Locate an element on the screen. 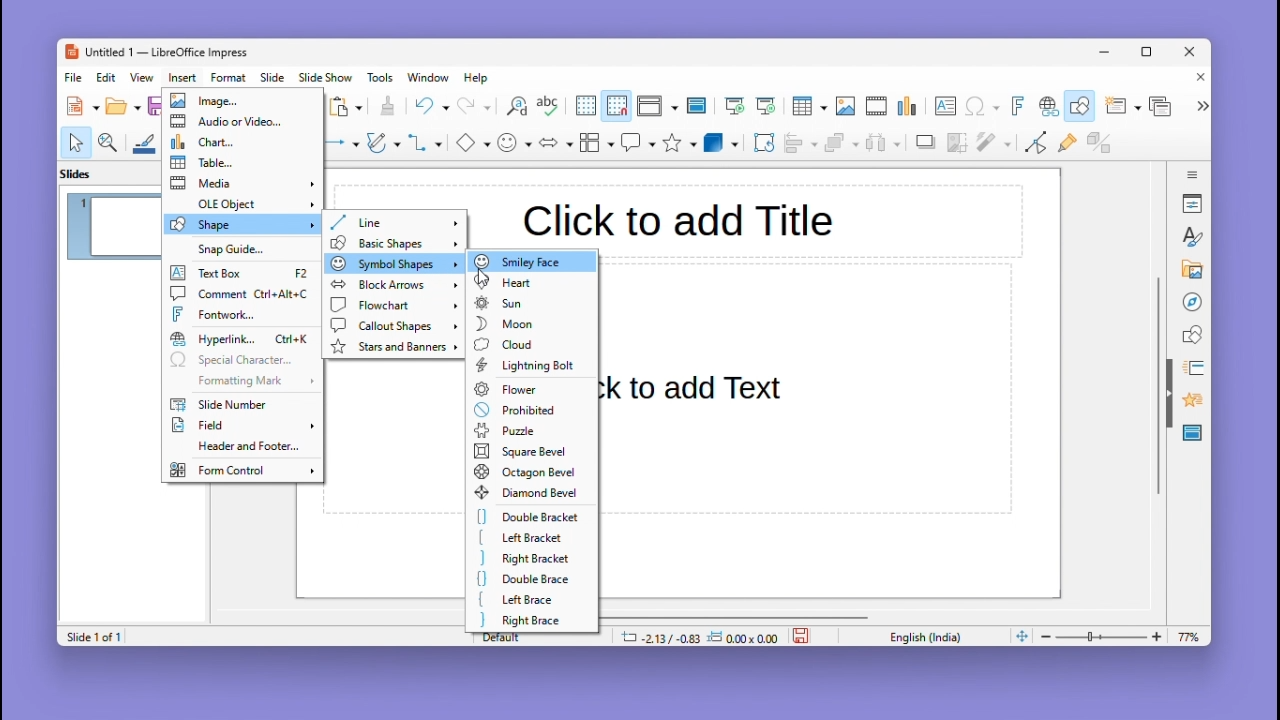 The height and width of the screenshot is (720, 1280). Comment is located at coordinates (240, 293).